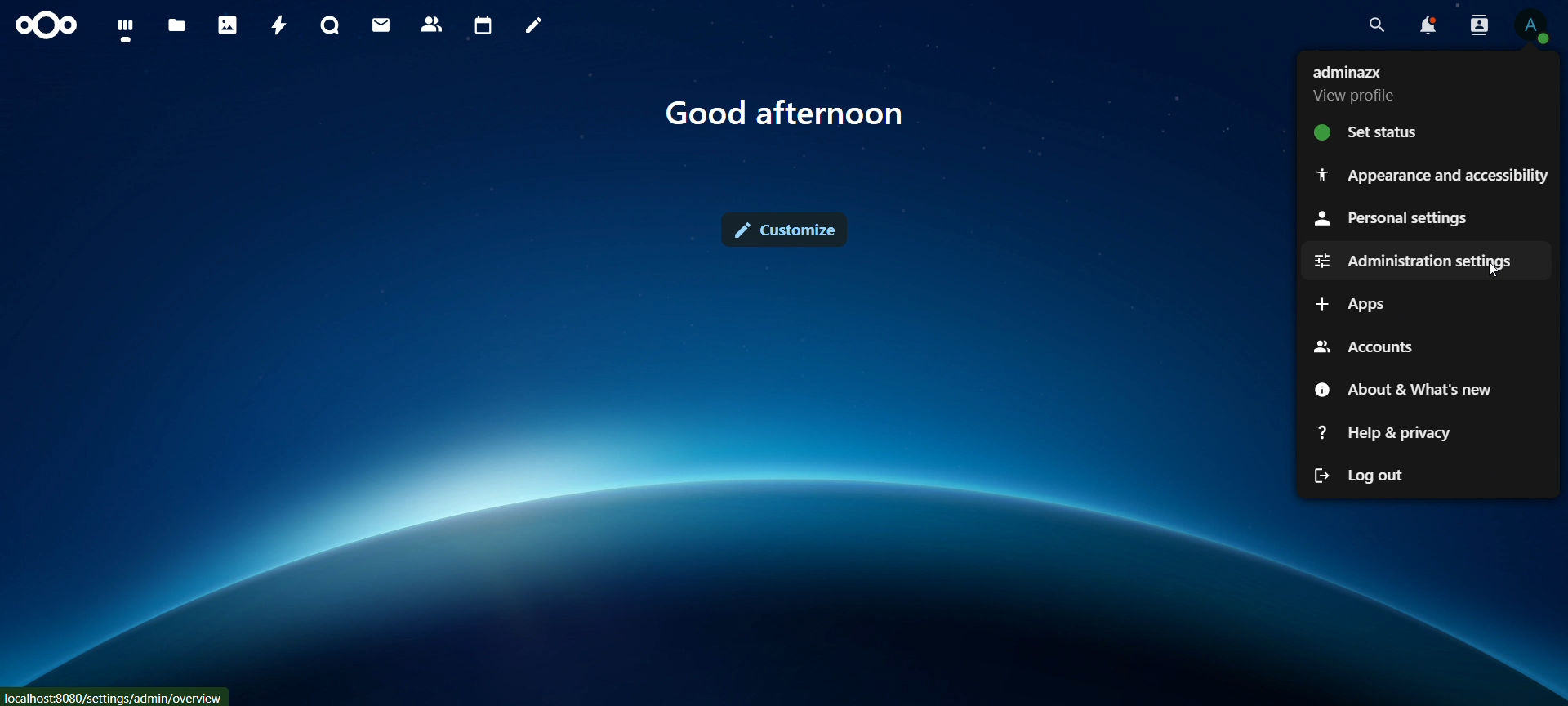 This screenshot has width=1568, height=706. Describe the element at coordinates (1357, 83) in the screenshot. I see `view profile` at that location.